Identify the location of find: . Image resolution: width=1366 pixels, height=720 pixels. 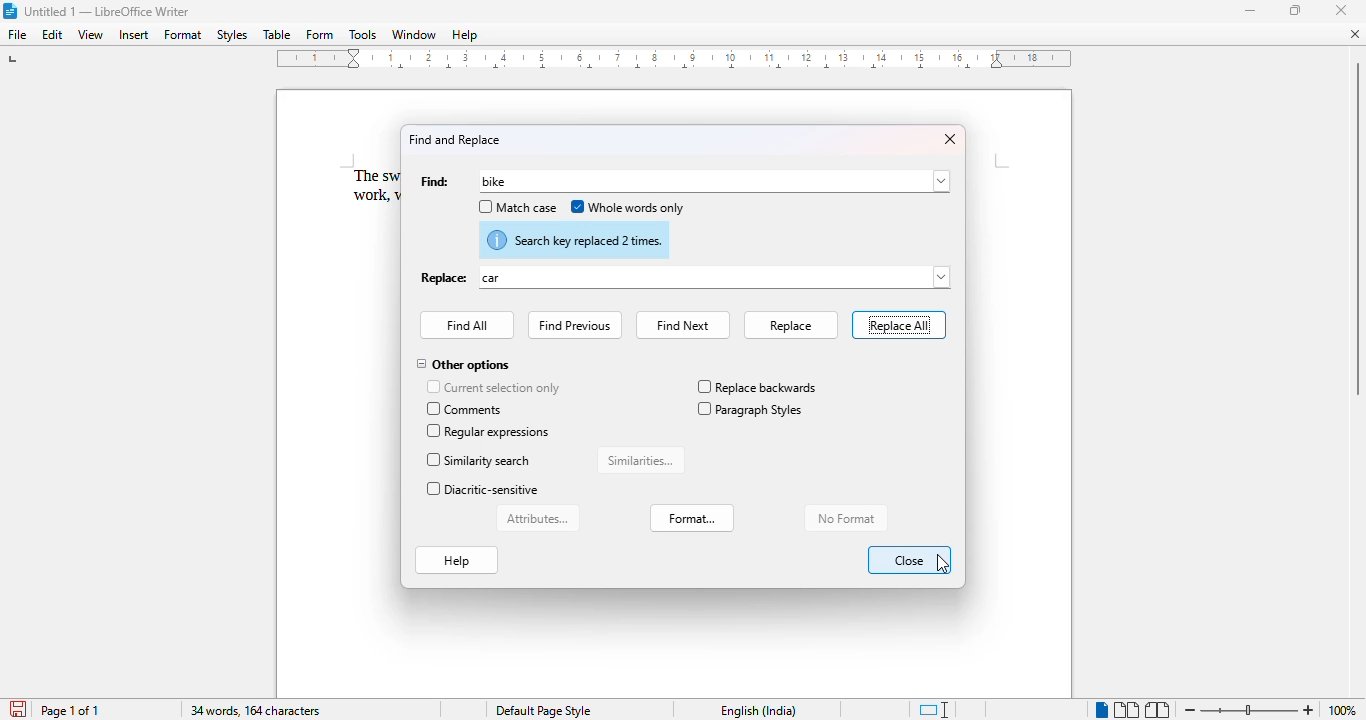
(435, 182).